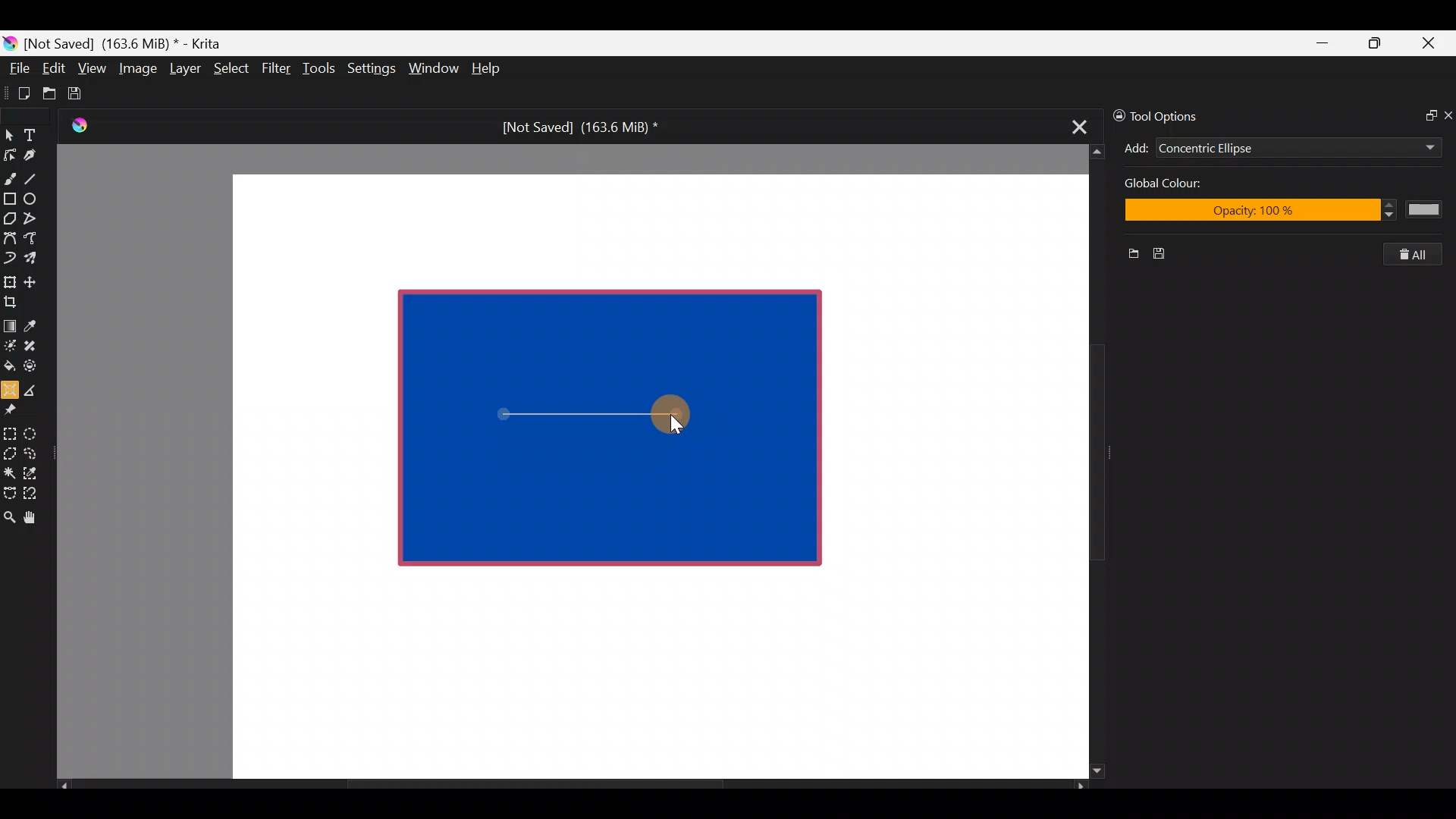 The height and width of the screenshot is (819, 1456). I want to click on Rectangle tool, so click(10, 200).